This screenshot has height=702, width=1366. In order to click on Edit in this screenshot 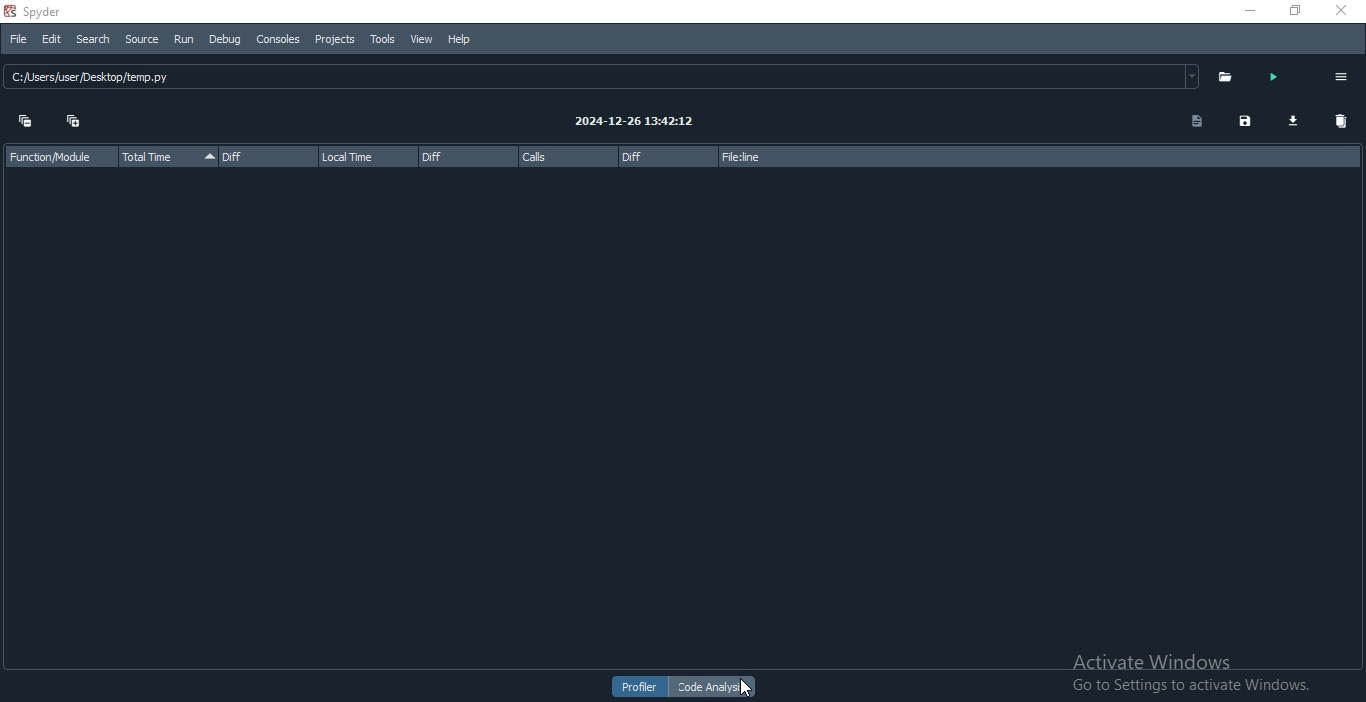, I will do `click(48, 39)`.